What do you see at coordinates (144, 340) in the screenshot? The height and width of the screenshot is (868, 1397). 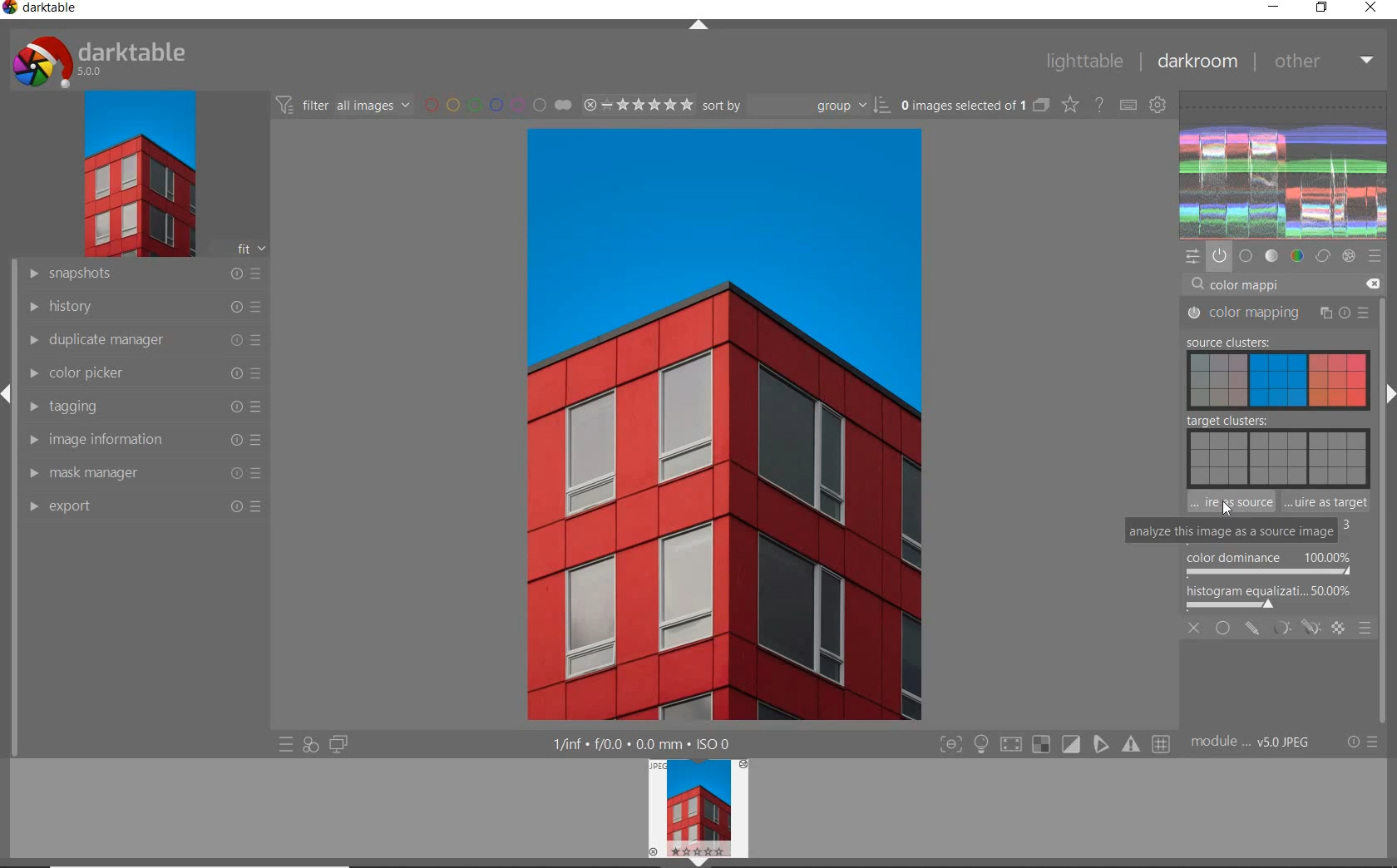 I see `duplicate manager` at bounding box center [144, 340].